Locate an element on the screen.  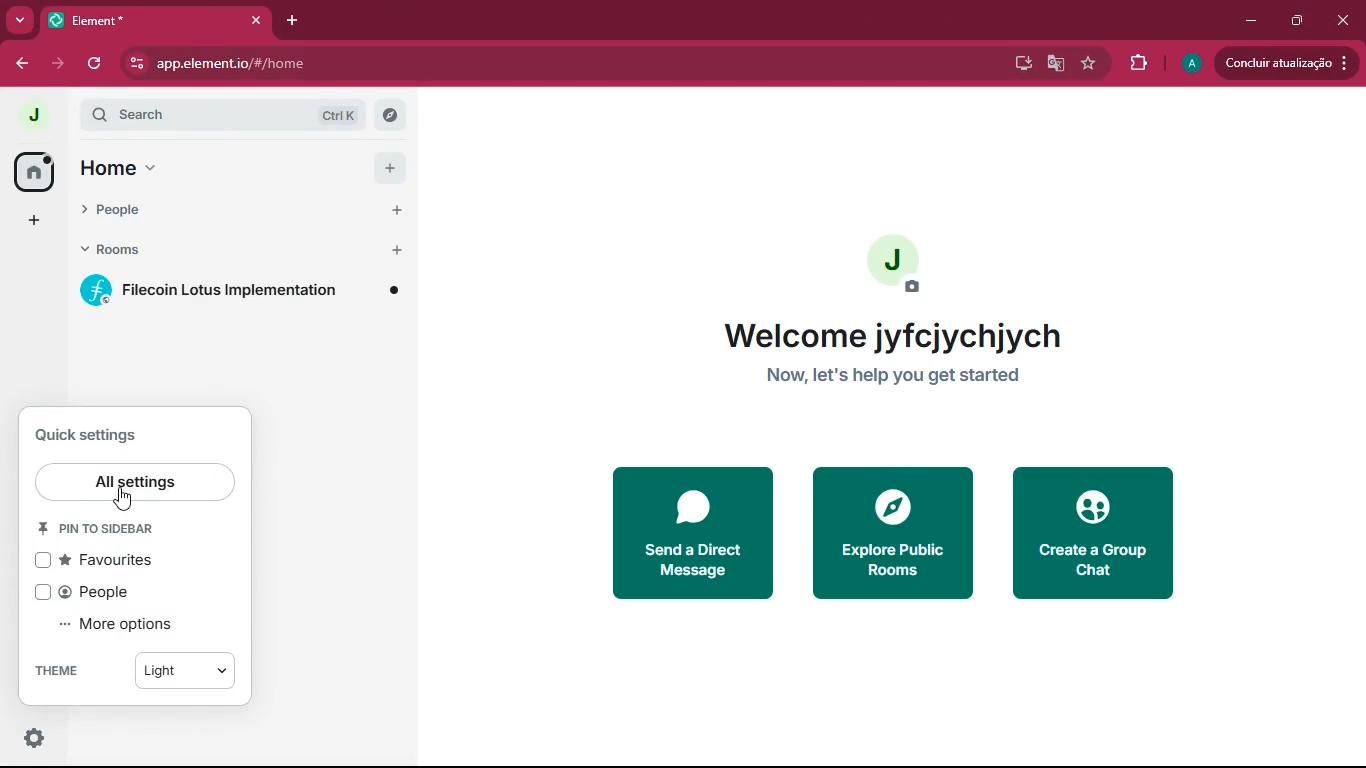
refresh is located at coordinates (97, 66).